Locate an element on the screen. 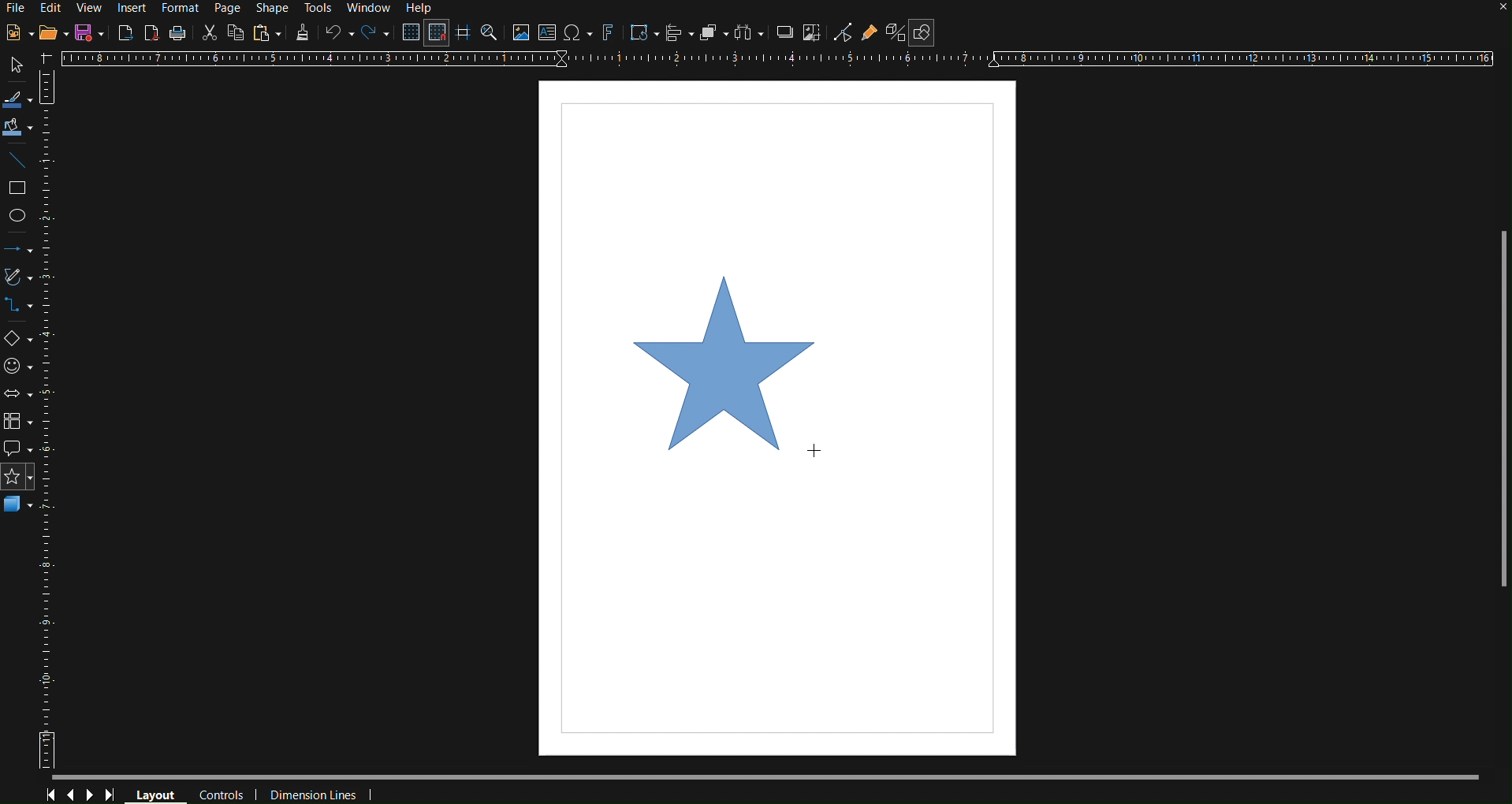 This screenshot has width=1512, height=804. Print is located at coordinates (179, 32).